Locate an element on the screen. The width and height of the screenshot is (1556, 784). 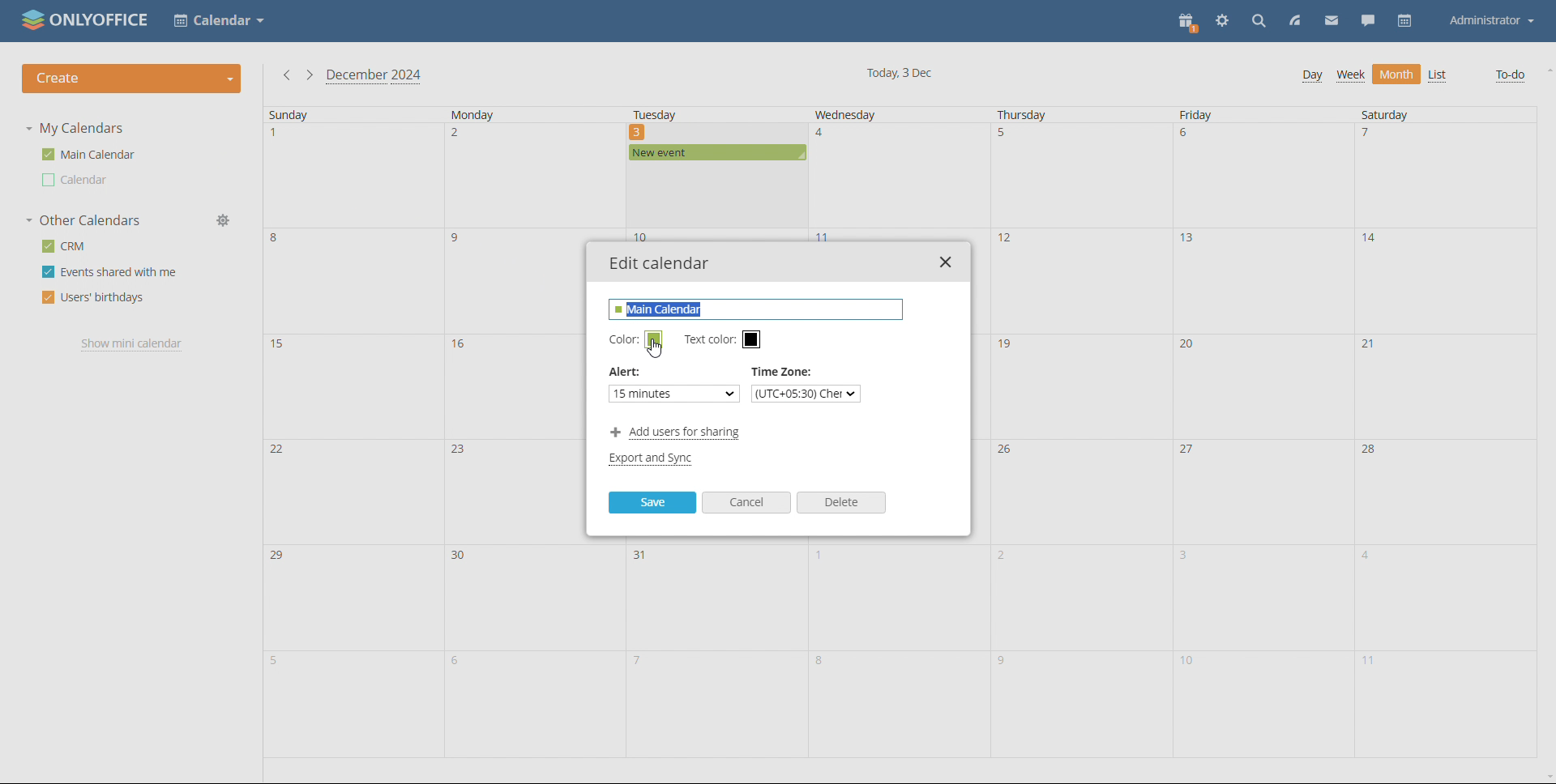
Alert is located at coordinates (626, 375).